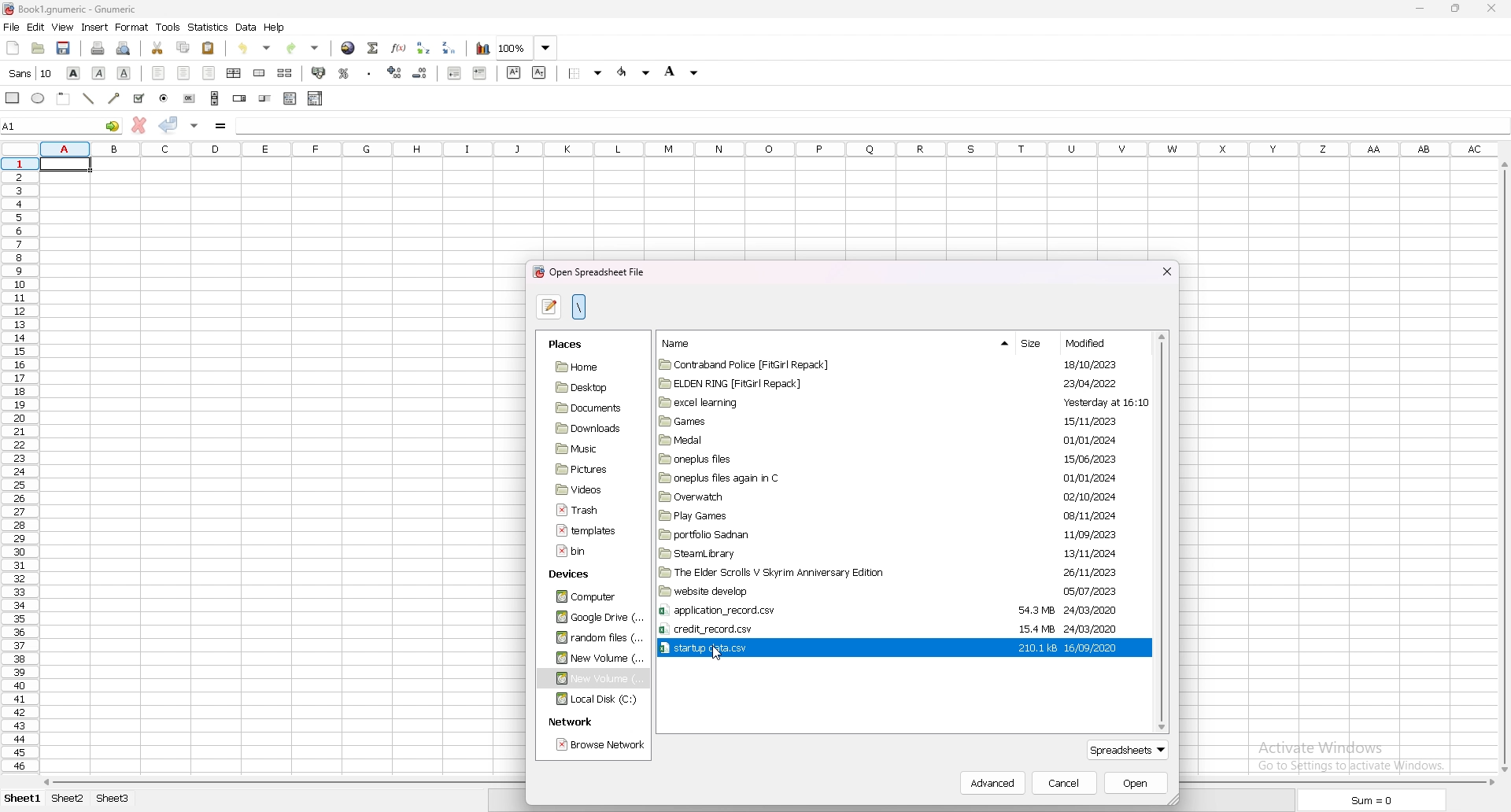 The height and width of the screenshot is (812, 1511). What do you see at coordinates (157, 49) in the screenshot?
I see `cut` at bounding box center [157, 49].